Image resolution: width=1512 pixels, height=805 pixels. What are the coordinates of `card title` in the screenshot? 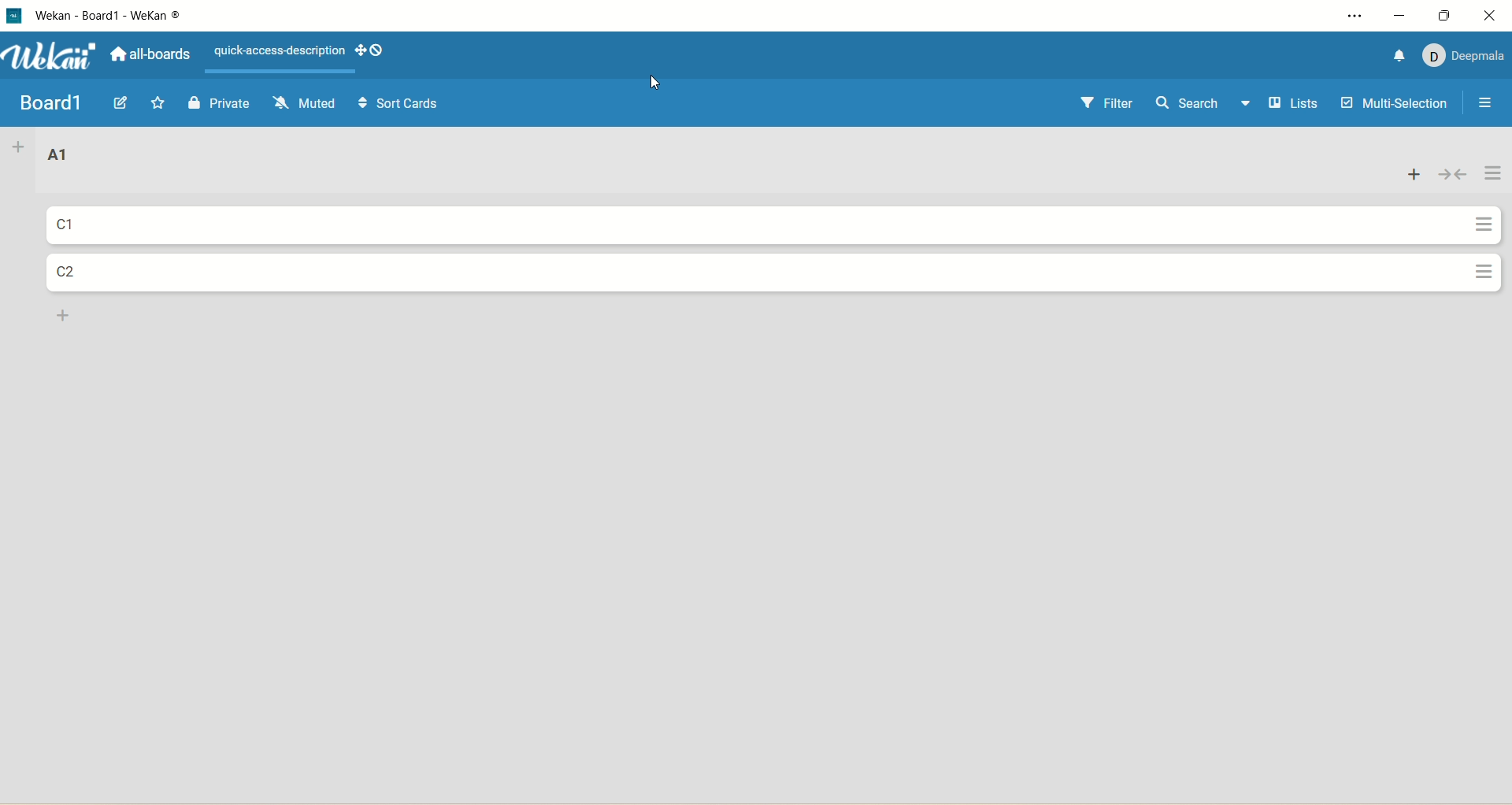 It's located at (75, 224).